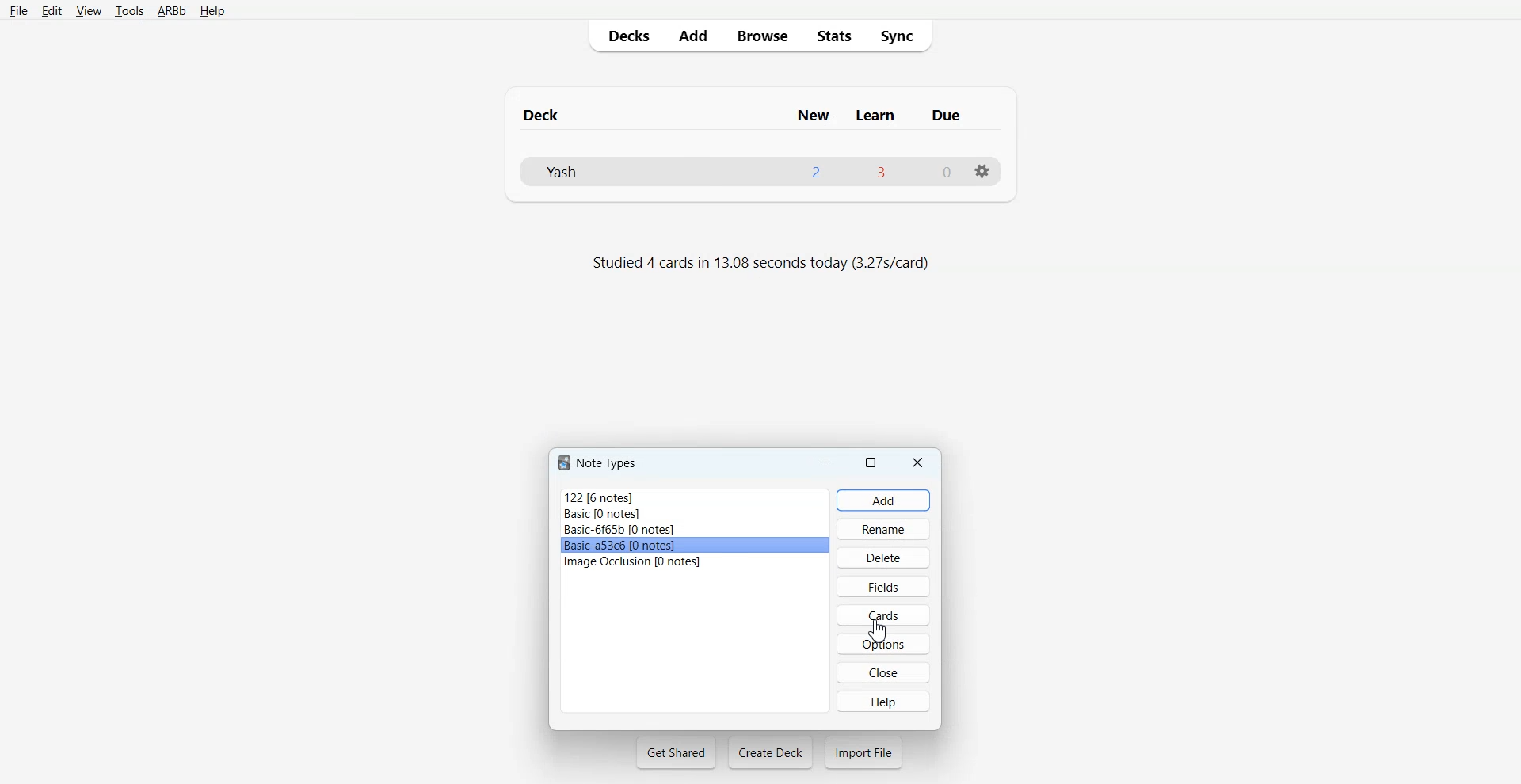  I want to click on Cards, so click(882, 615).